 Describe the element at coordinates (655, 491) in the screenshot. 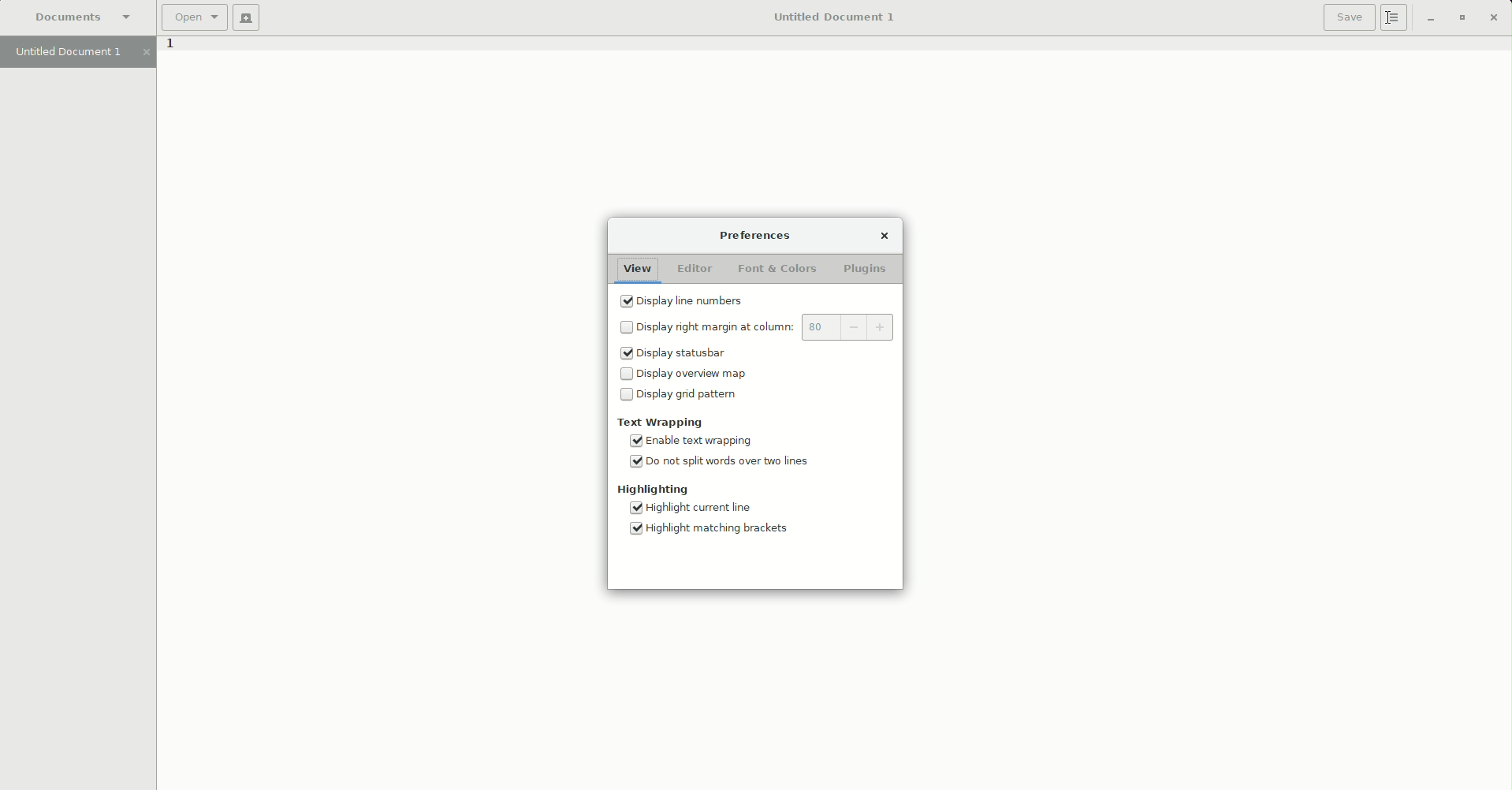

I see `Highlighting` at that location.